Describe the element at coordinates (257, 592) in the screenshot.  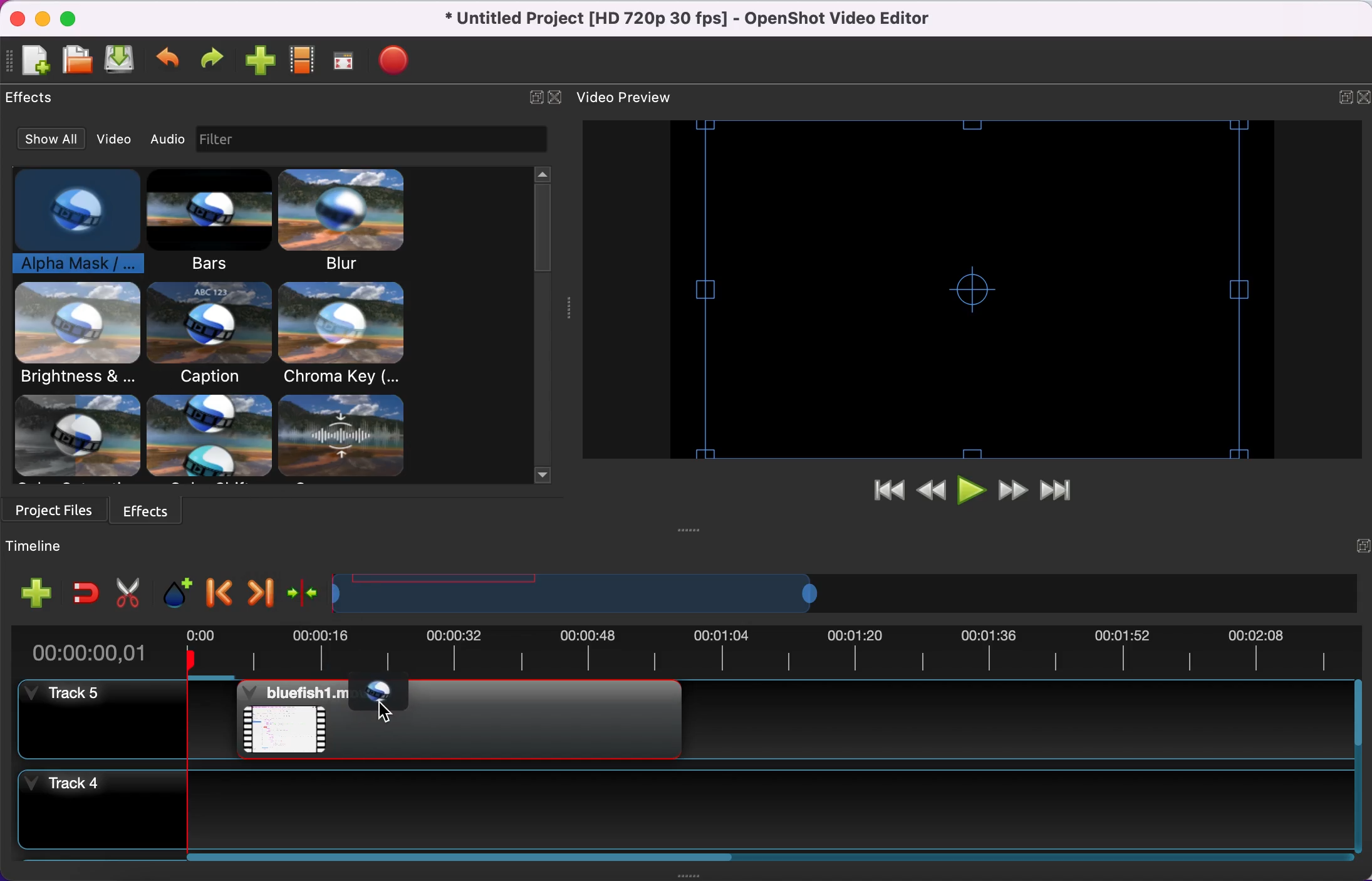
I see `next marker` at that location.